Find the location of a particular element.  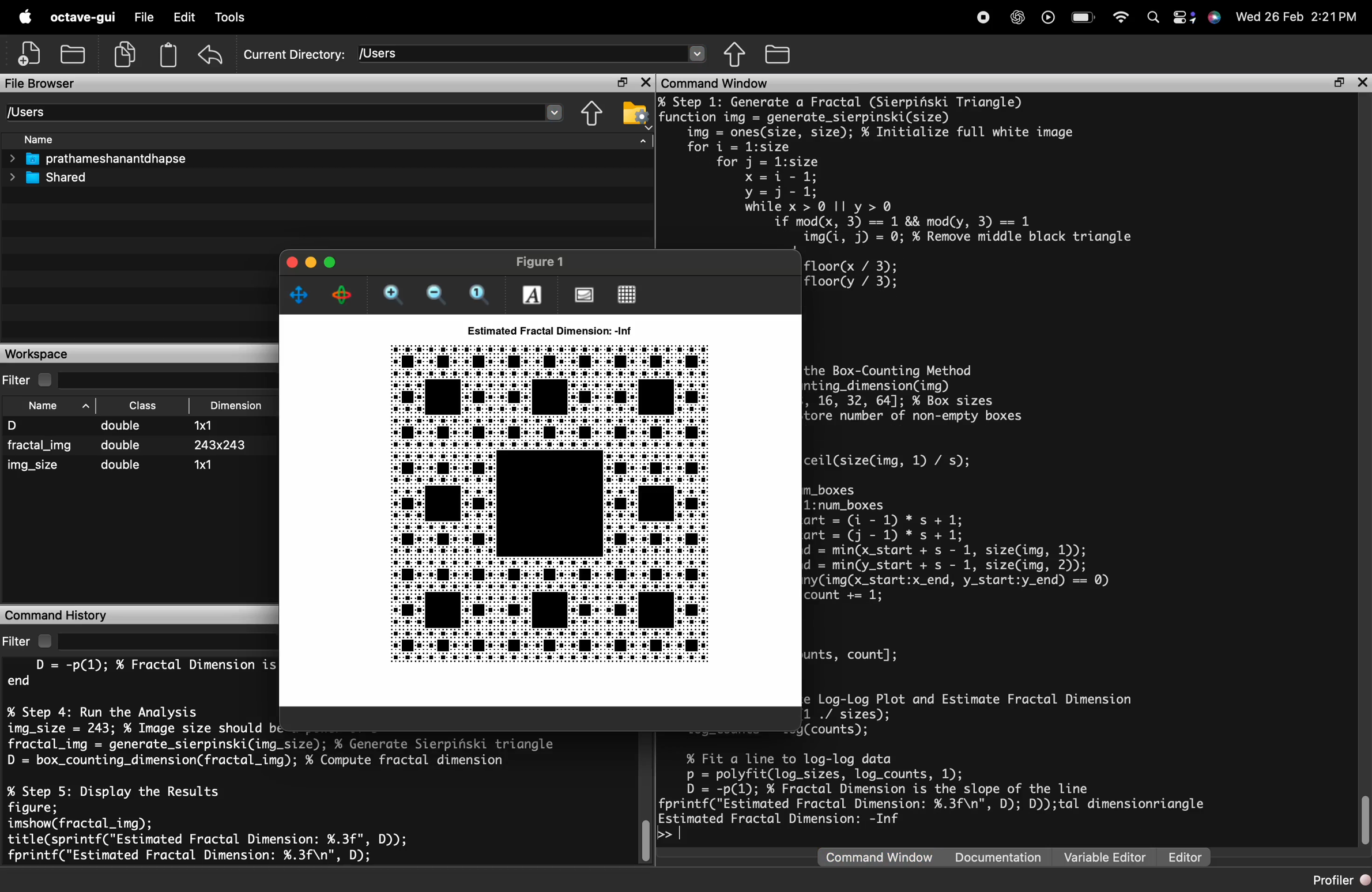

zoom is located at coordinates (483, 293).